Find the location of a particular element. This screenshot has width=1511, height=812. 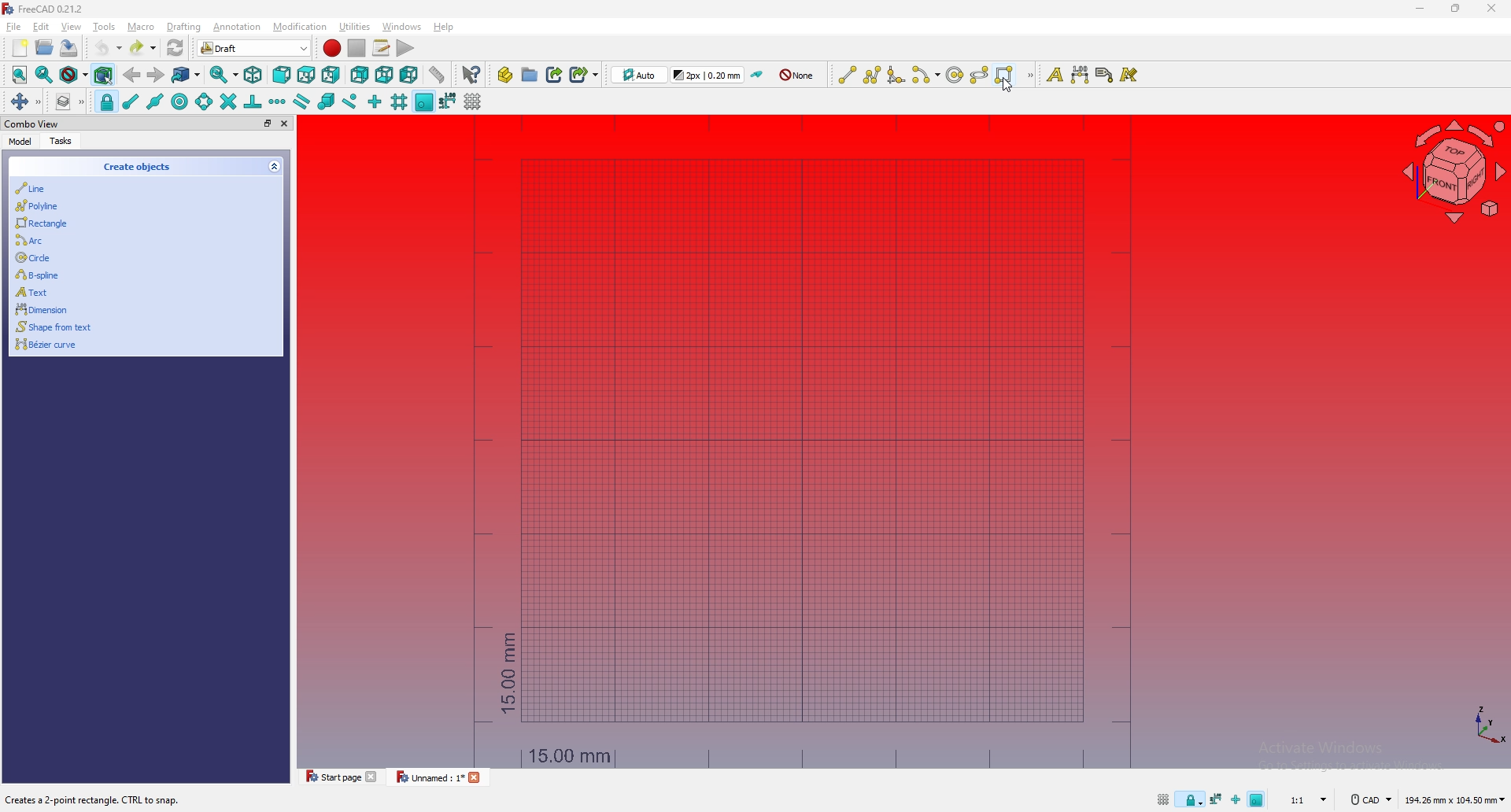

close is located at coordinates (285, 123).